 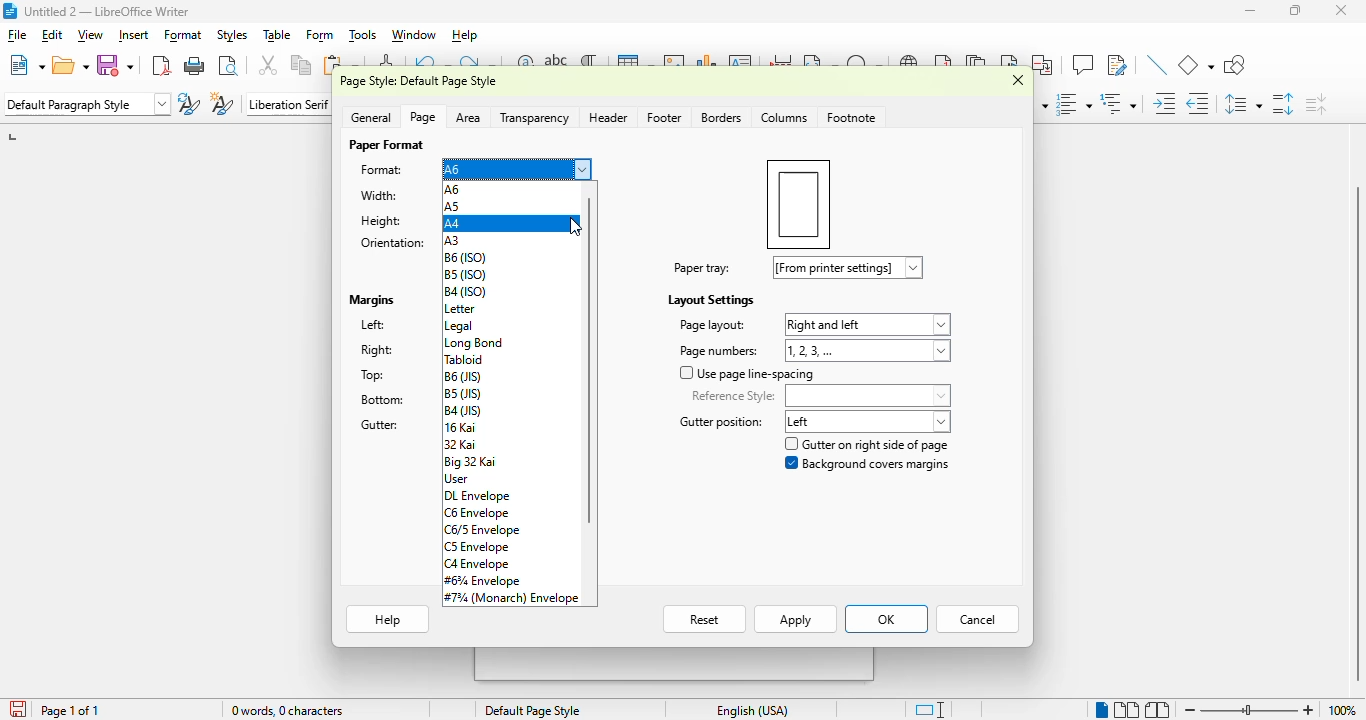 I want to click on tools, so click(x=363, y=34).